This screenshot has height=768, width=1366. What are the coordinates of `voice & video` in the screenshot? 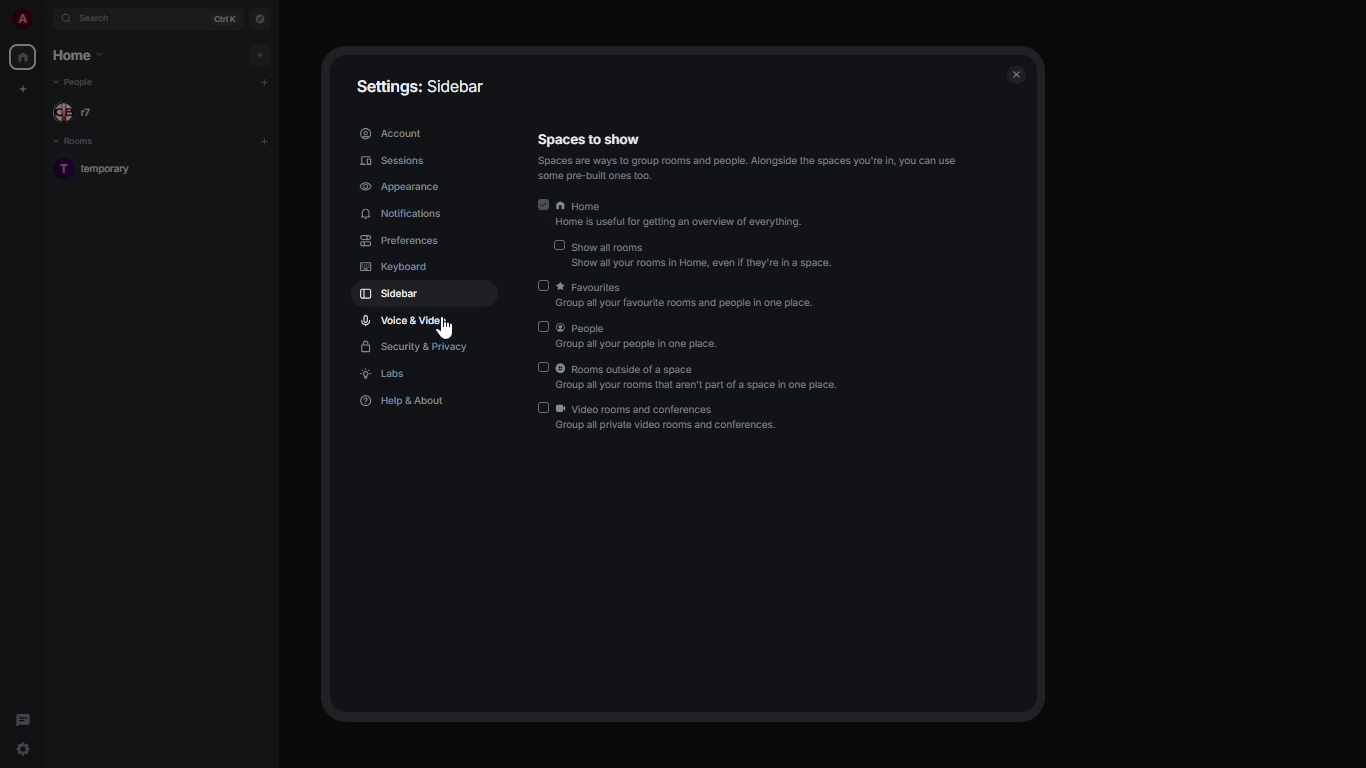 It's located at (408, 319).